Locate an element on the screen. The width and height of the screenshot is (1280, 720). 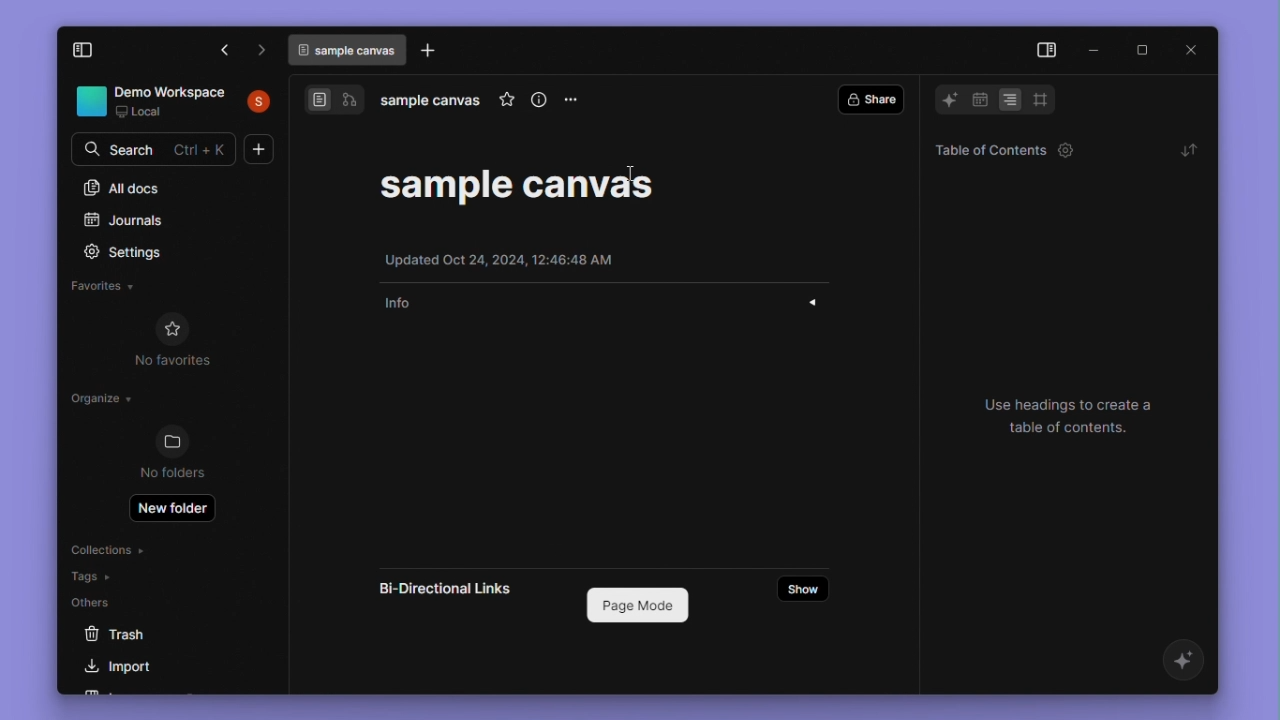
next tab is located at coordinates (262, 50).